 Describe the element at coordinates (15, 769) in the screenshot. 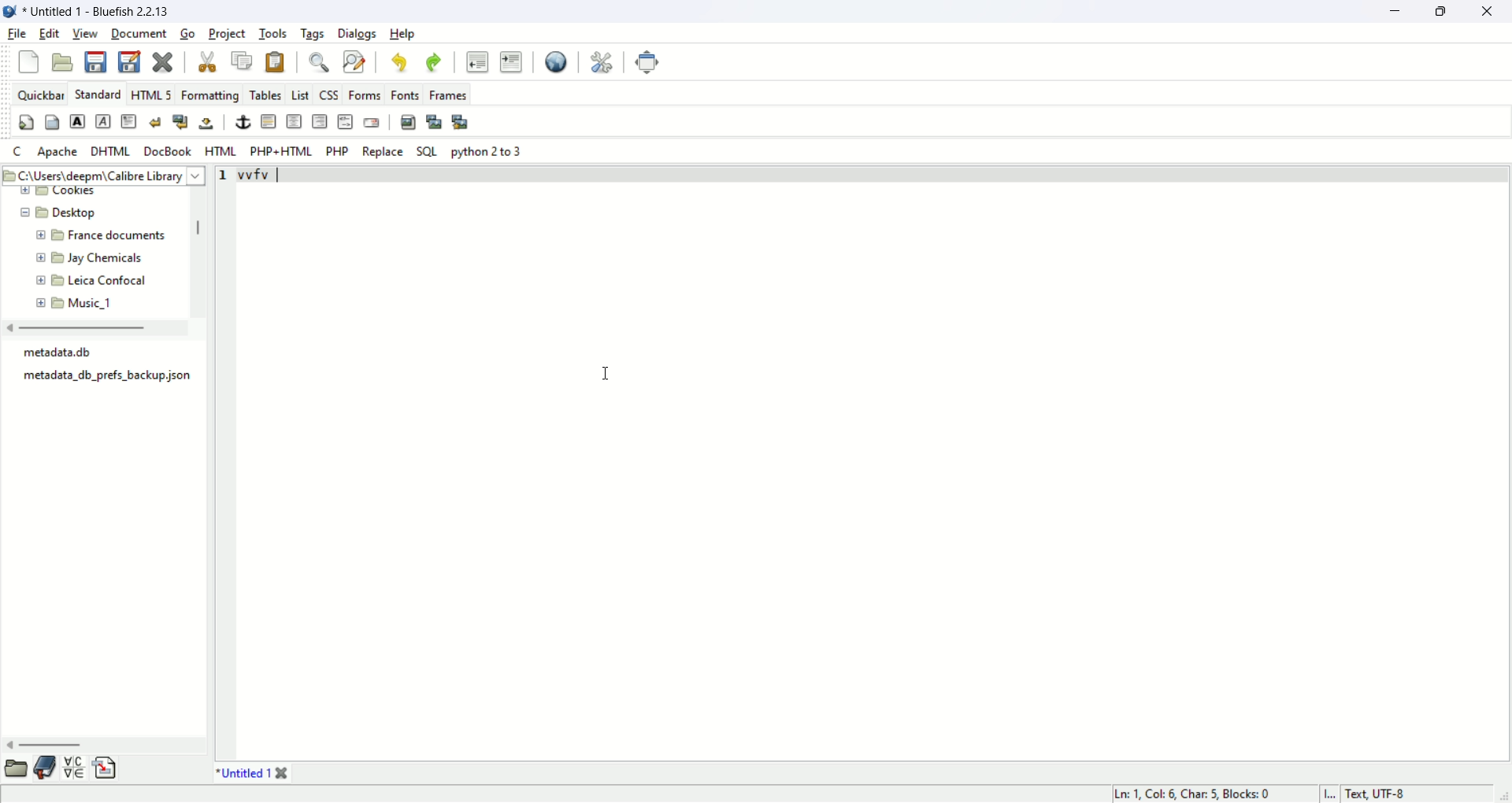

I see `file browser` at that location.